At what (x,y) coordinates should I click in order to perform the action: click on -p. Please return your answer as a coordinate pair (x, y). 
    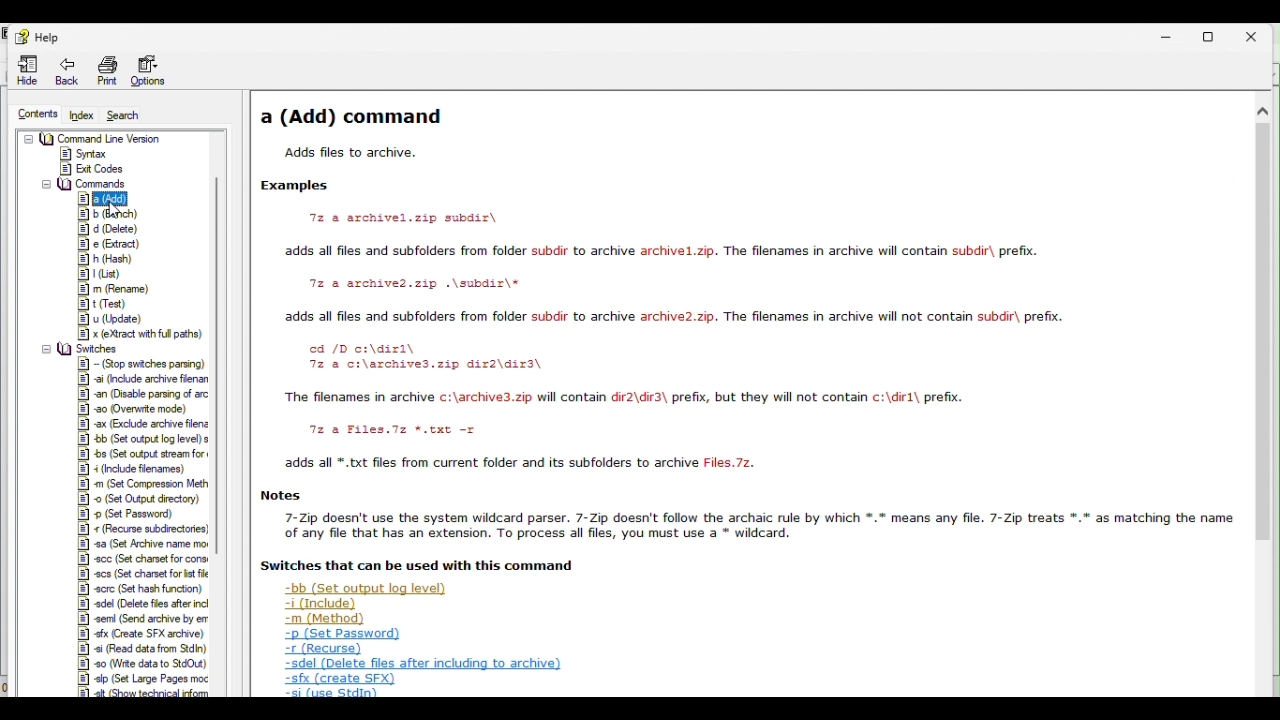
    Looking at the image, I should click on (340, 634).